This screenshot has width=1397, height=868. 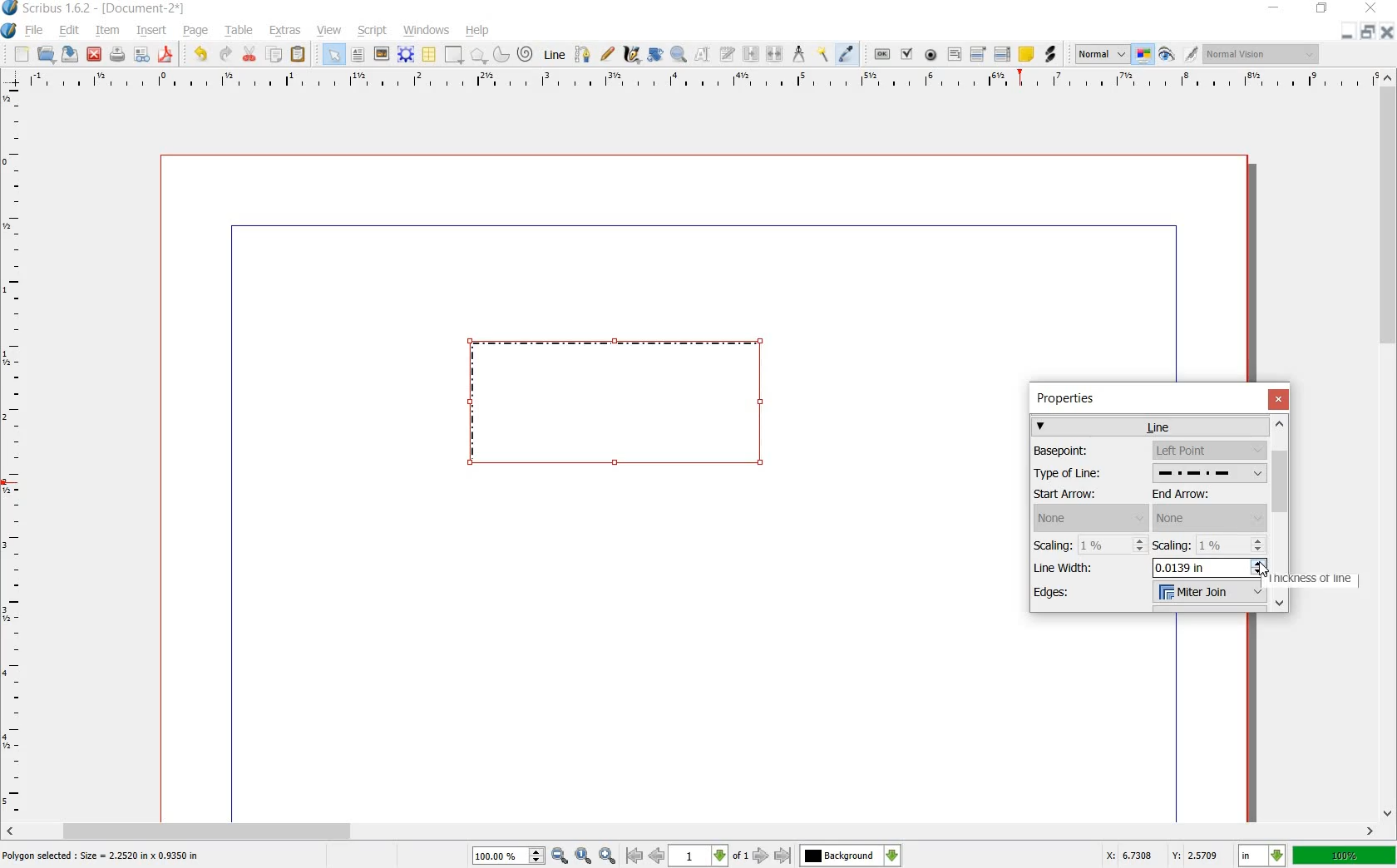 What do you see at coordinates (370, 31) in the screenshot?
I see `SCRIPT` at bounding box center [370, 31].